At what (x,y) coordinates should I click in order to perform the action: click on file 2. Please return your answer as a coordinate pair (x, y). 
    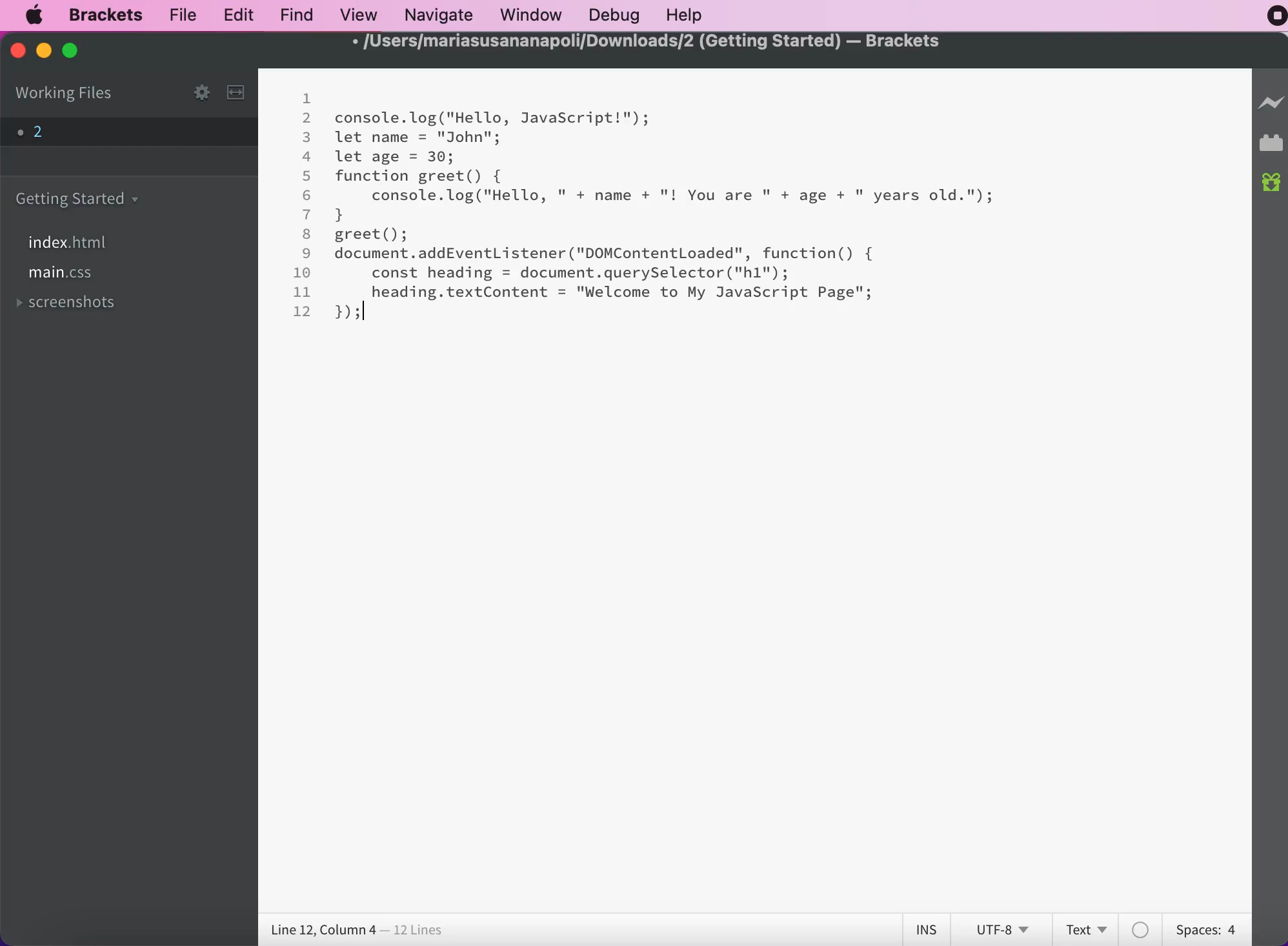
    Looking at the image, I should click on (38, 134).